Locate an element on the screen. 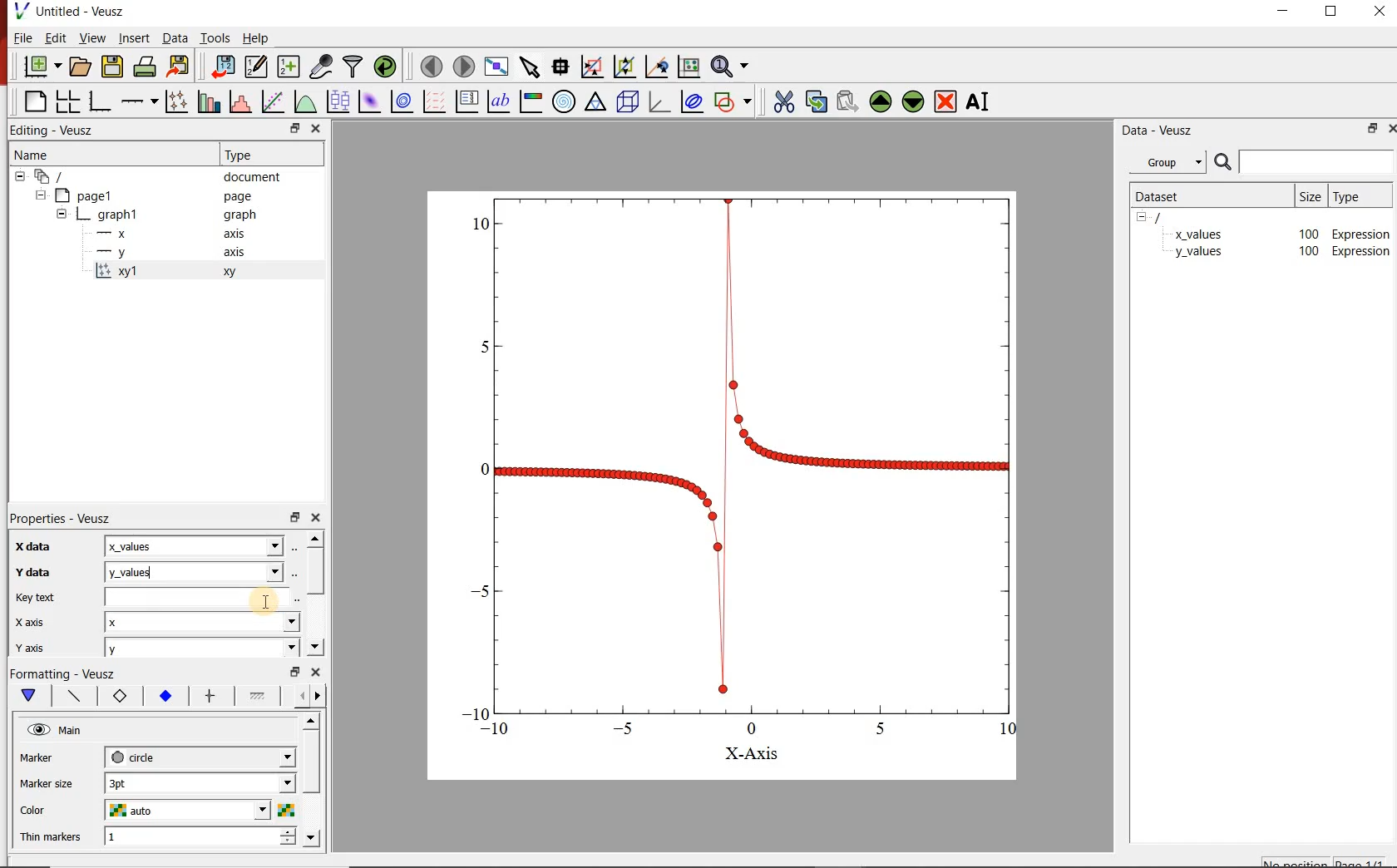 This screenshot has height=868, width=1397. x is located at coordinates (201, 623).